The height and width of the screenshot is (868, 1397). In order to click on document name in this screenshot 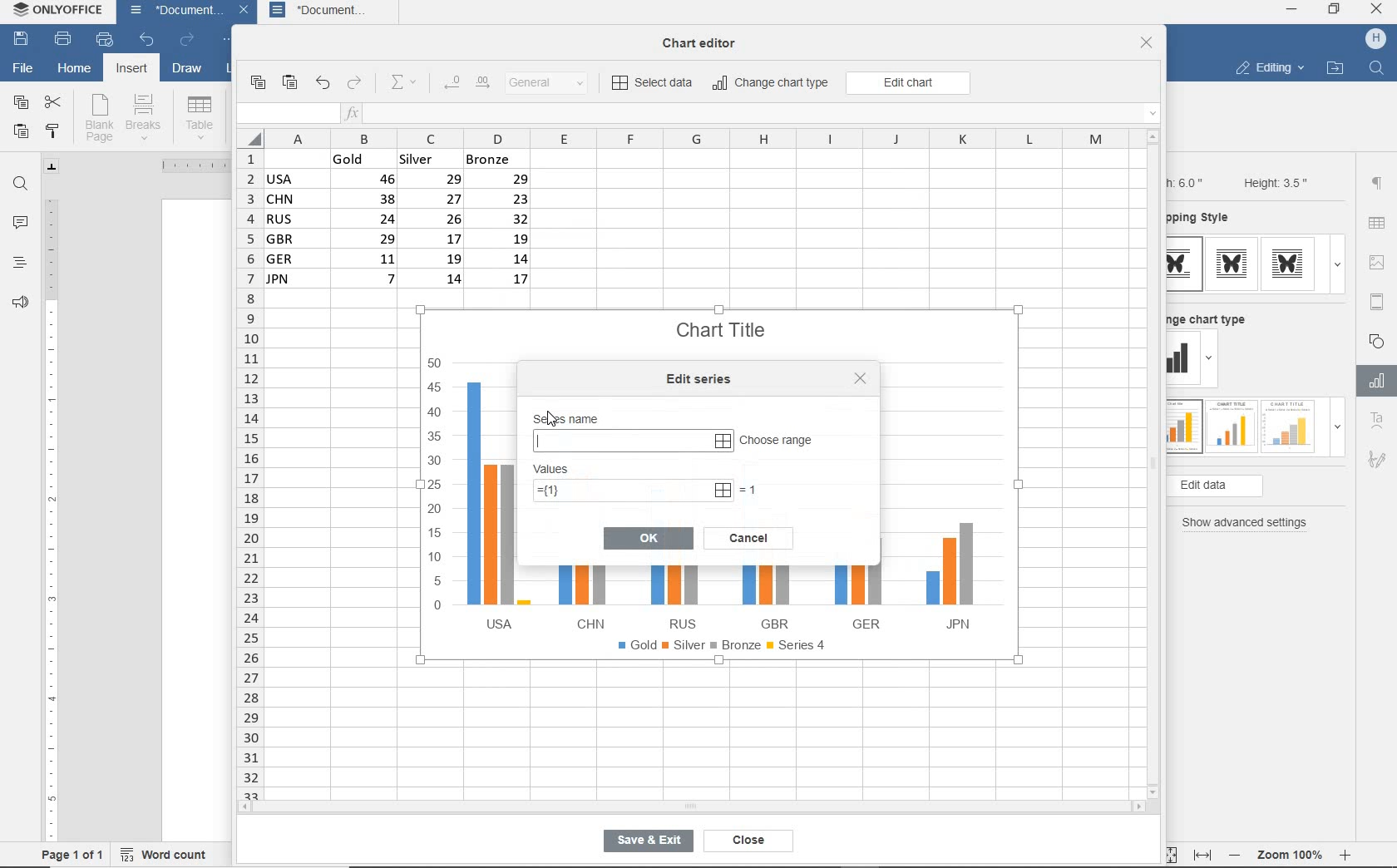, I will do `click(171, 12)`.